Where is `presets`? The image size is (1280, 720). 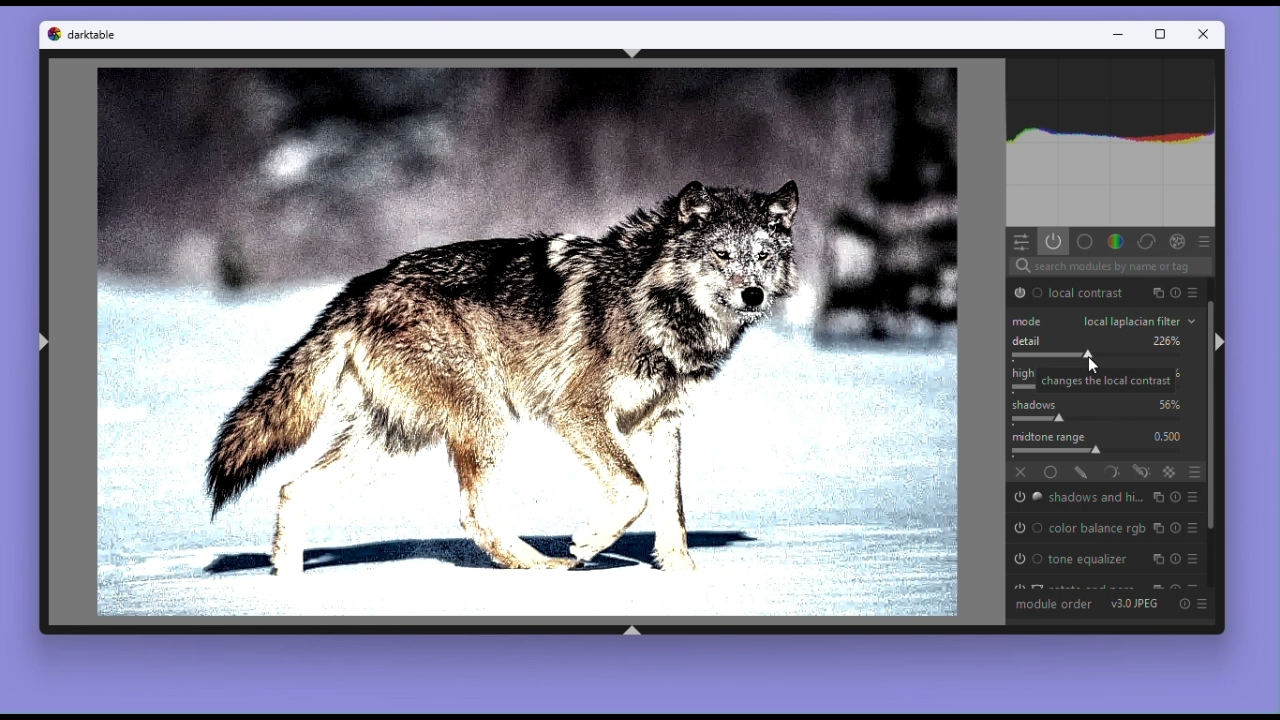
presets is located at coordinates (1197, 530).